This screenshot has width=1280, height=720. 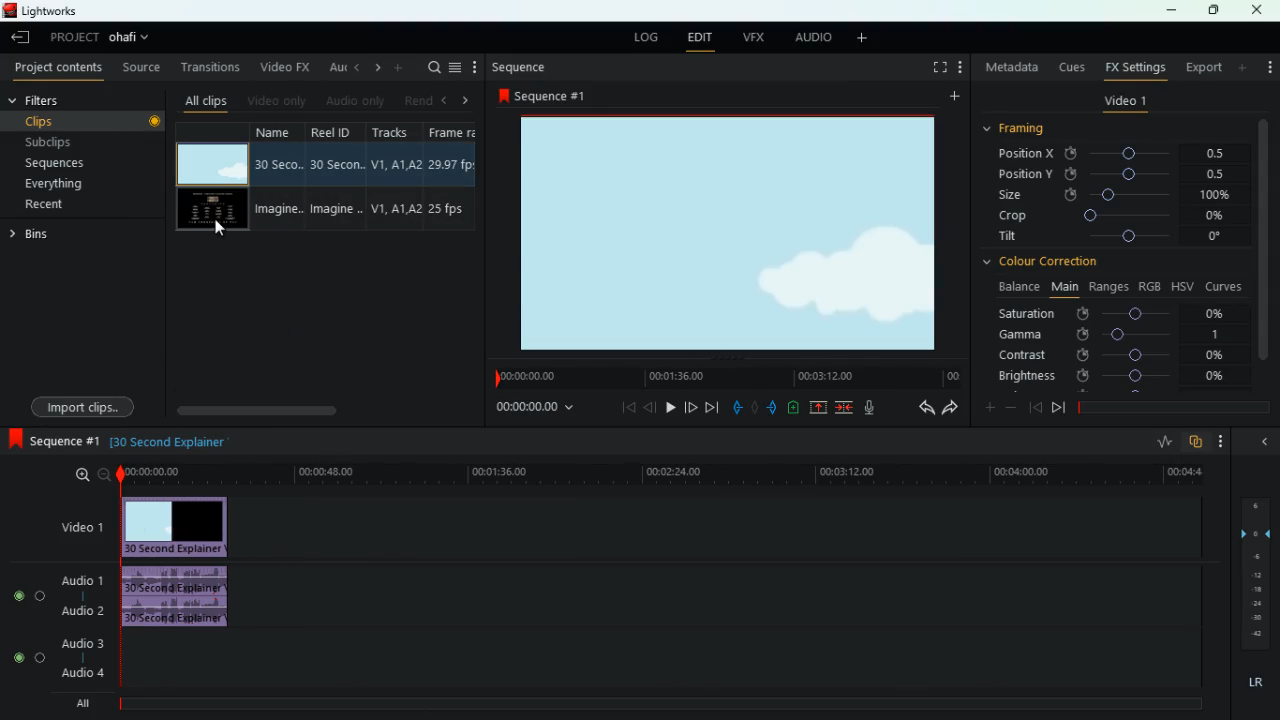 What do you see at coordinates (210, 211) in the screenshot?
I see `video` at bounding box center [210, 211].